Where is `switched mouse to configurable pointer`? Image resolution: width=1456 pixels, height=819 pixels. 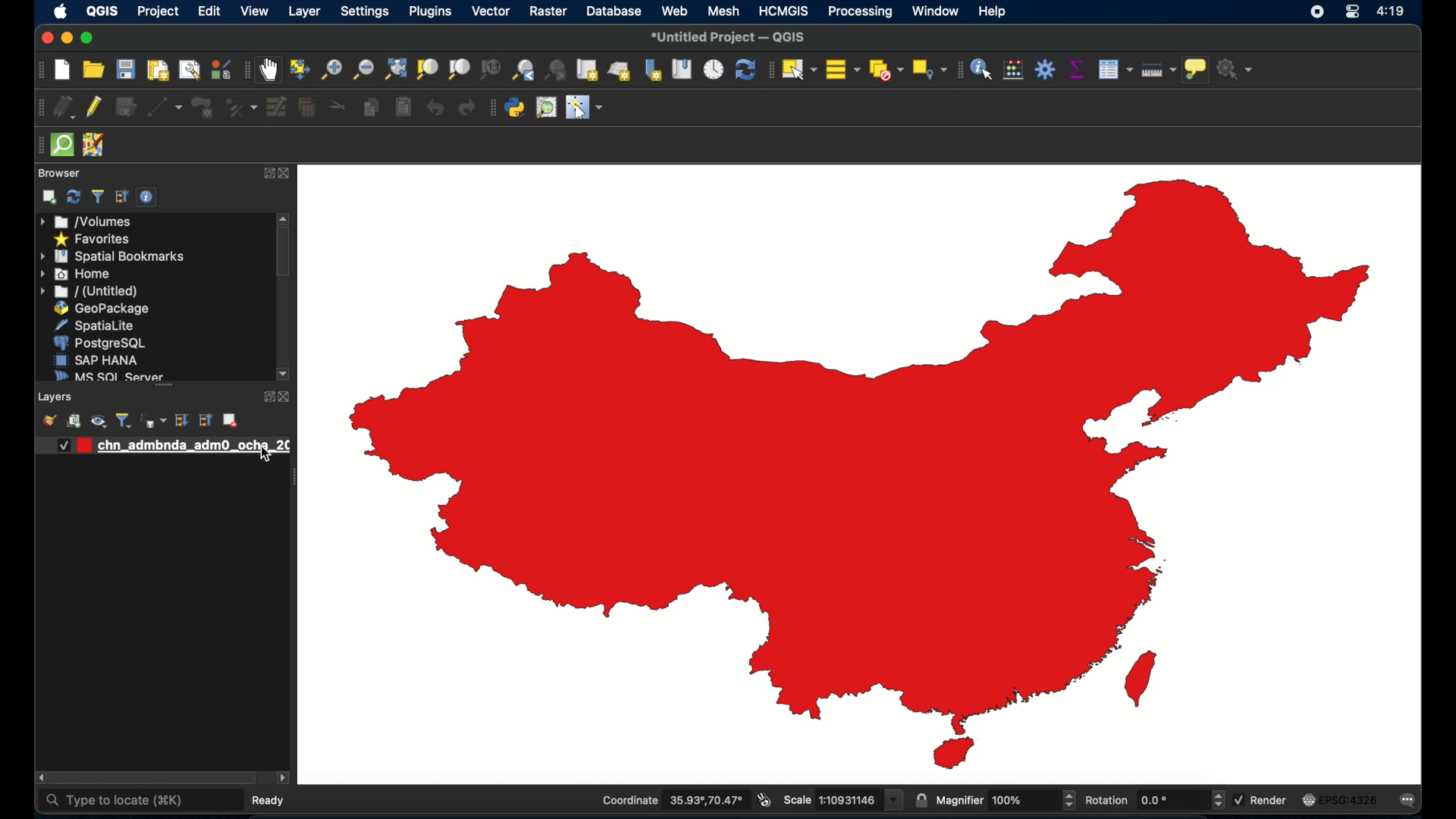
switched mouse to configurable pointer is located at coordinates (585, 107).